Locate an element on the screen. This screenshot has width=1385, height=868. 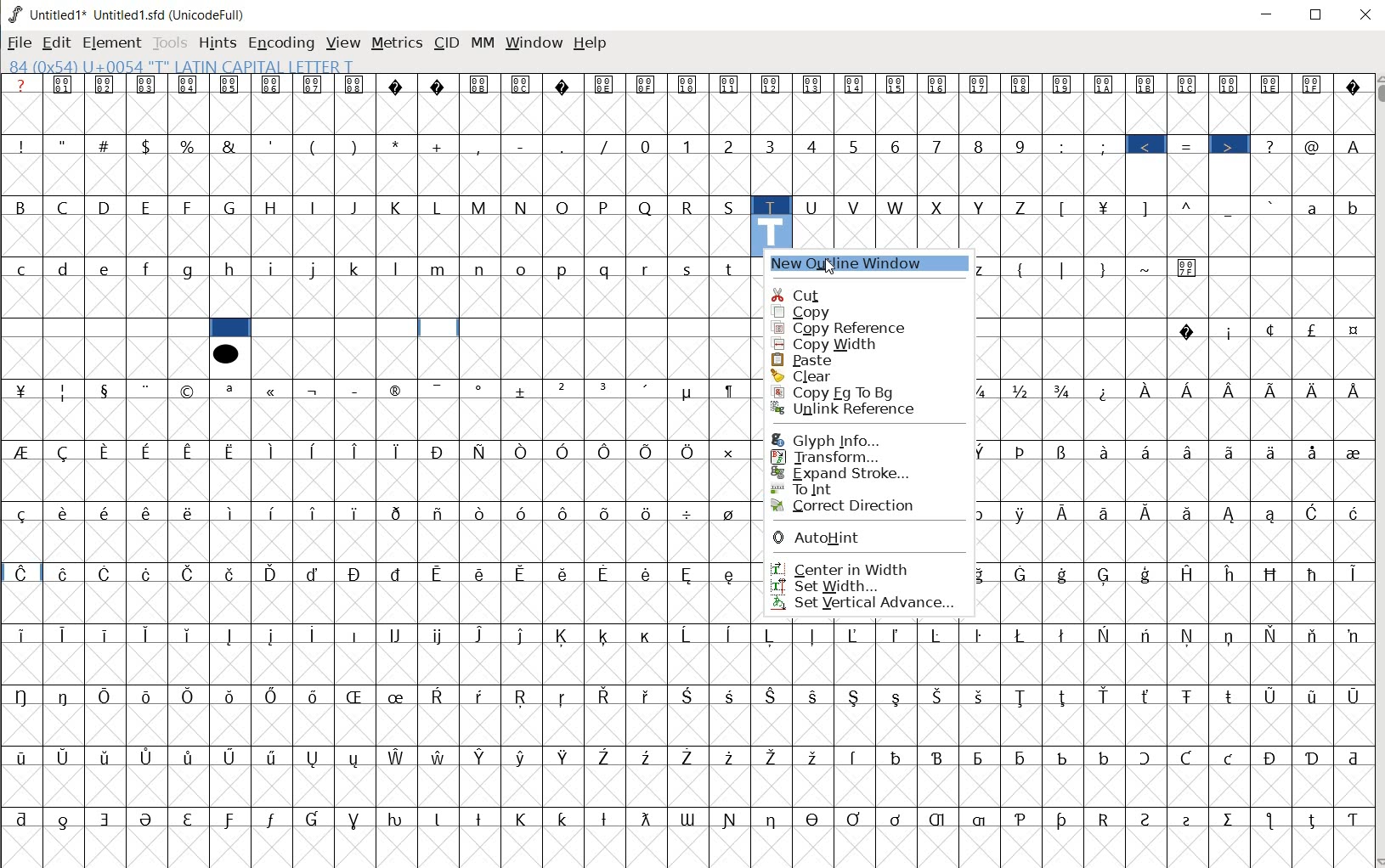
Symbol is located at coordinates (649, 695).